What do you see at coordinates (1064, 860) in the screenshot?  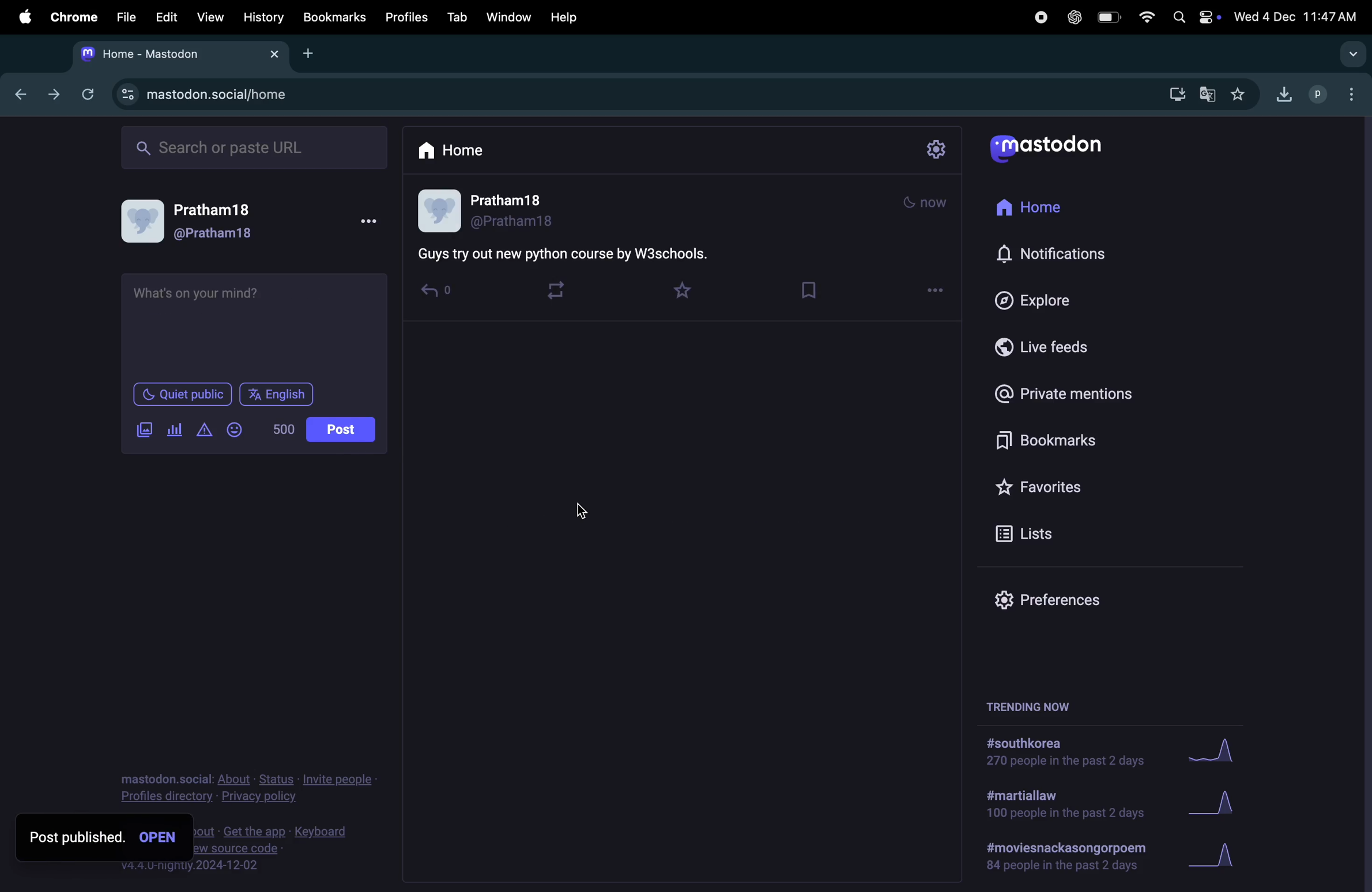 I see `# movies and poem` at bounding box center [1064, 860].